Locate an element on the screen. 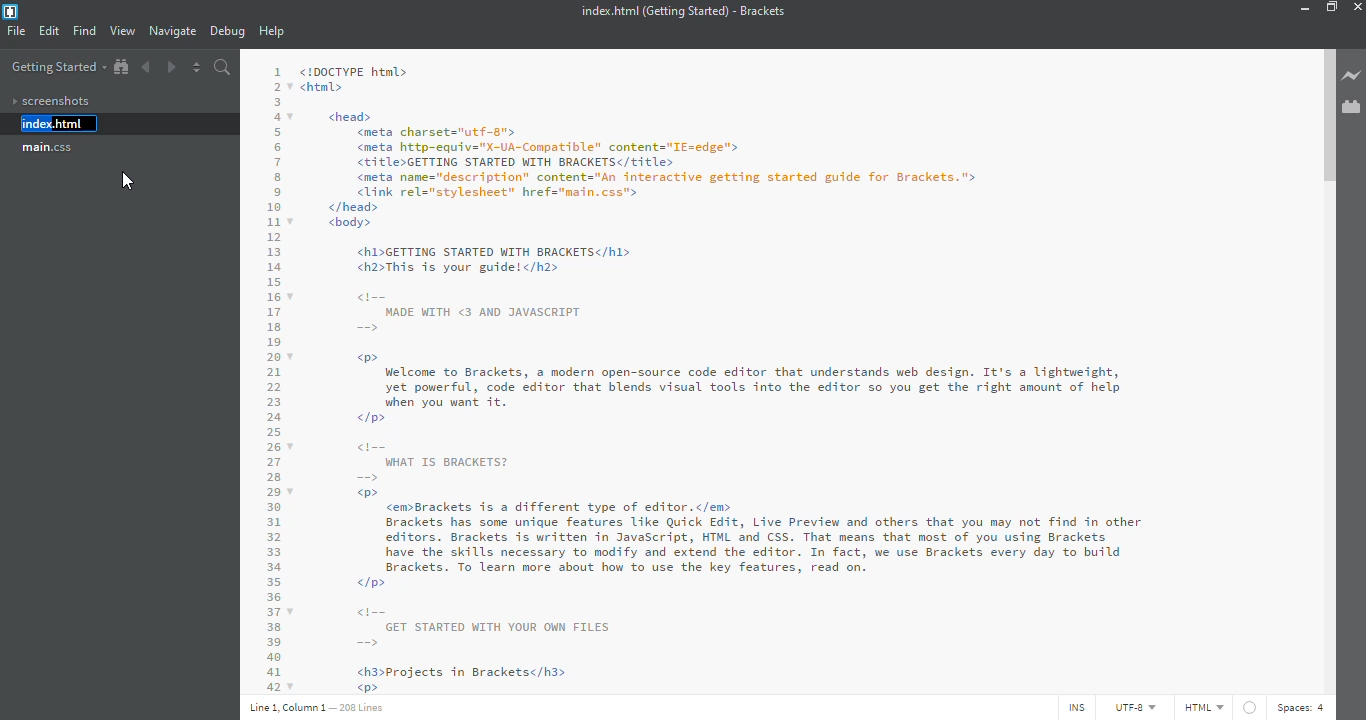  line details is located at coordinates (319, 707).